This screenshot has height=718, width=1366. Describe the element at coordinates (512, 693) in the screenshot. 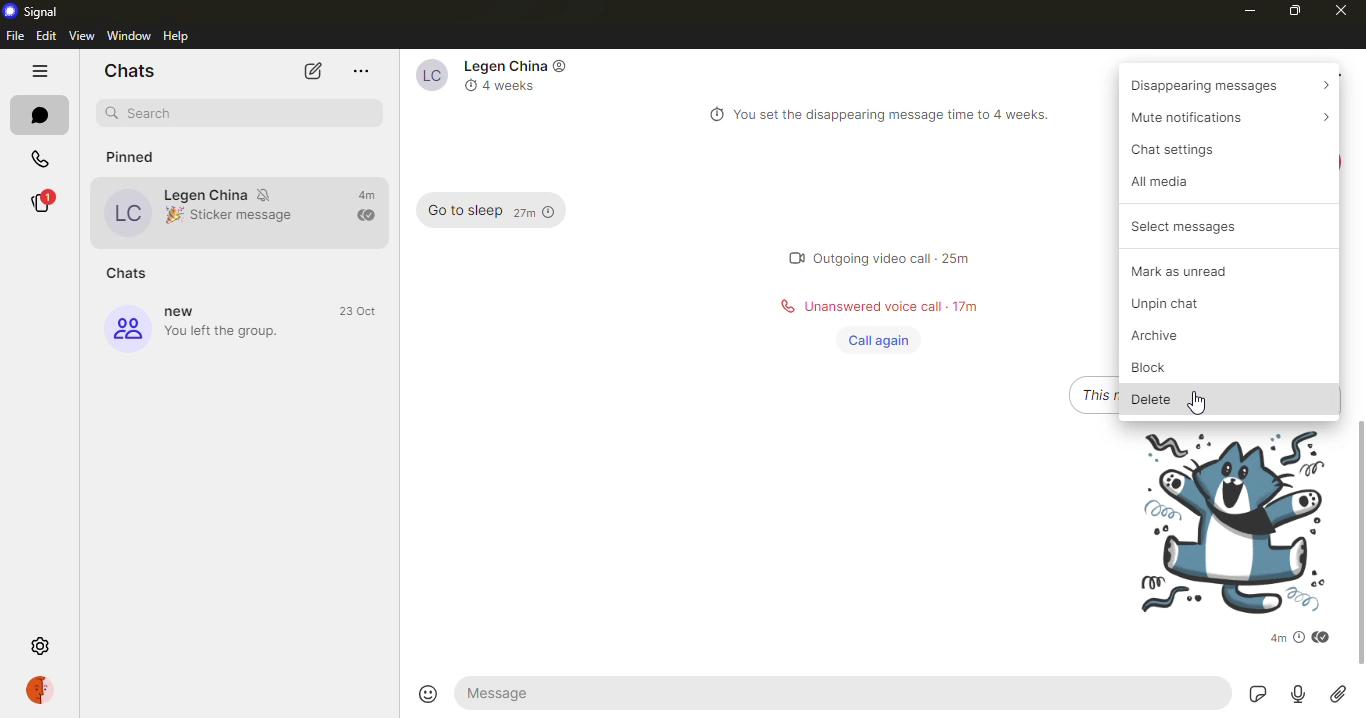

I see `message` at that location.